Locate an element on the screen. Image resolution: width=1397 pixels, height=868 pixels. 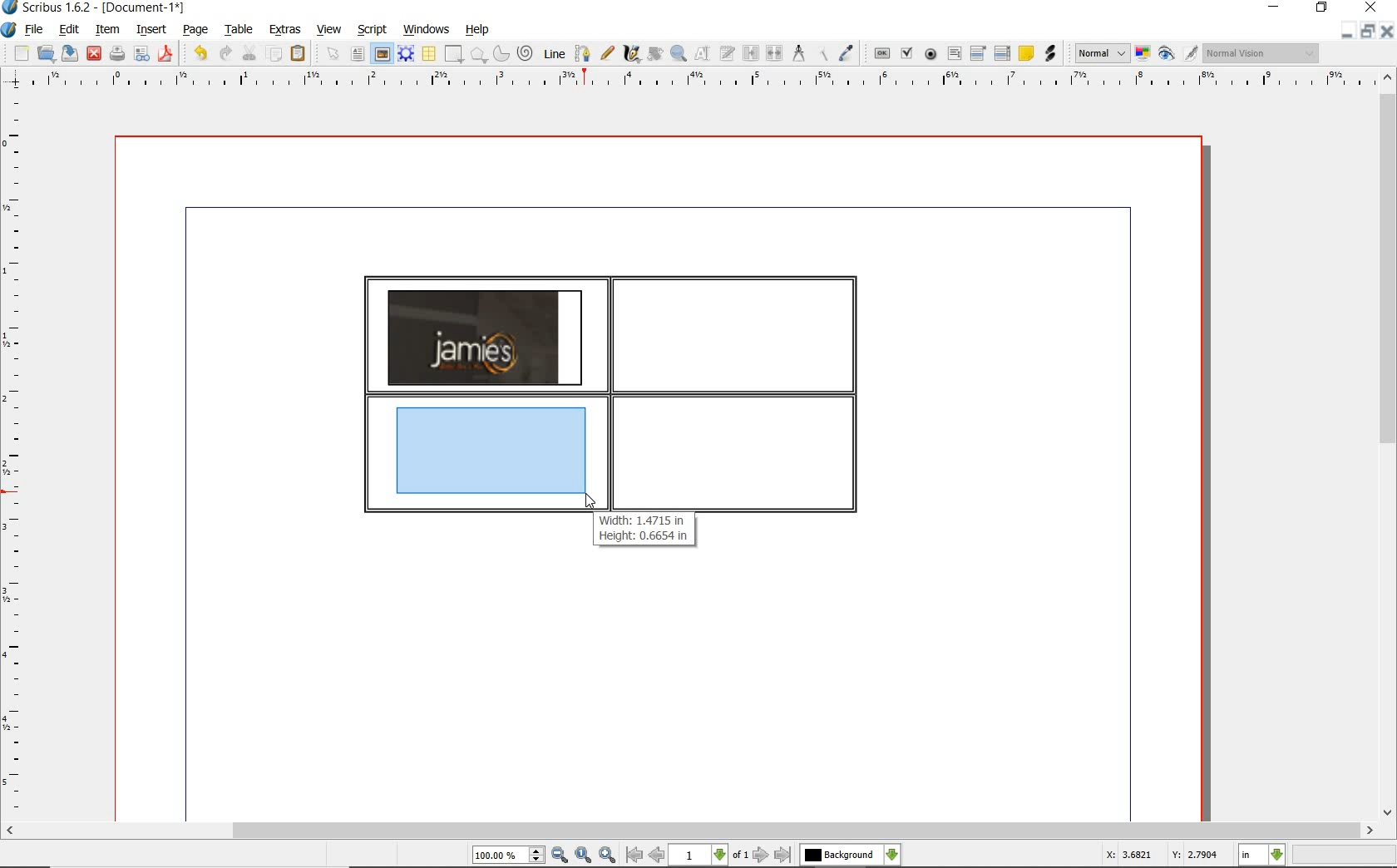
save is located at coordinates (71, 52).